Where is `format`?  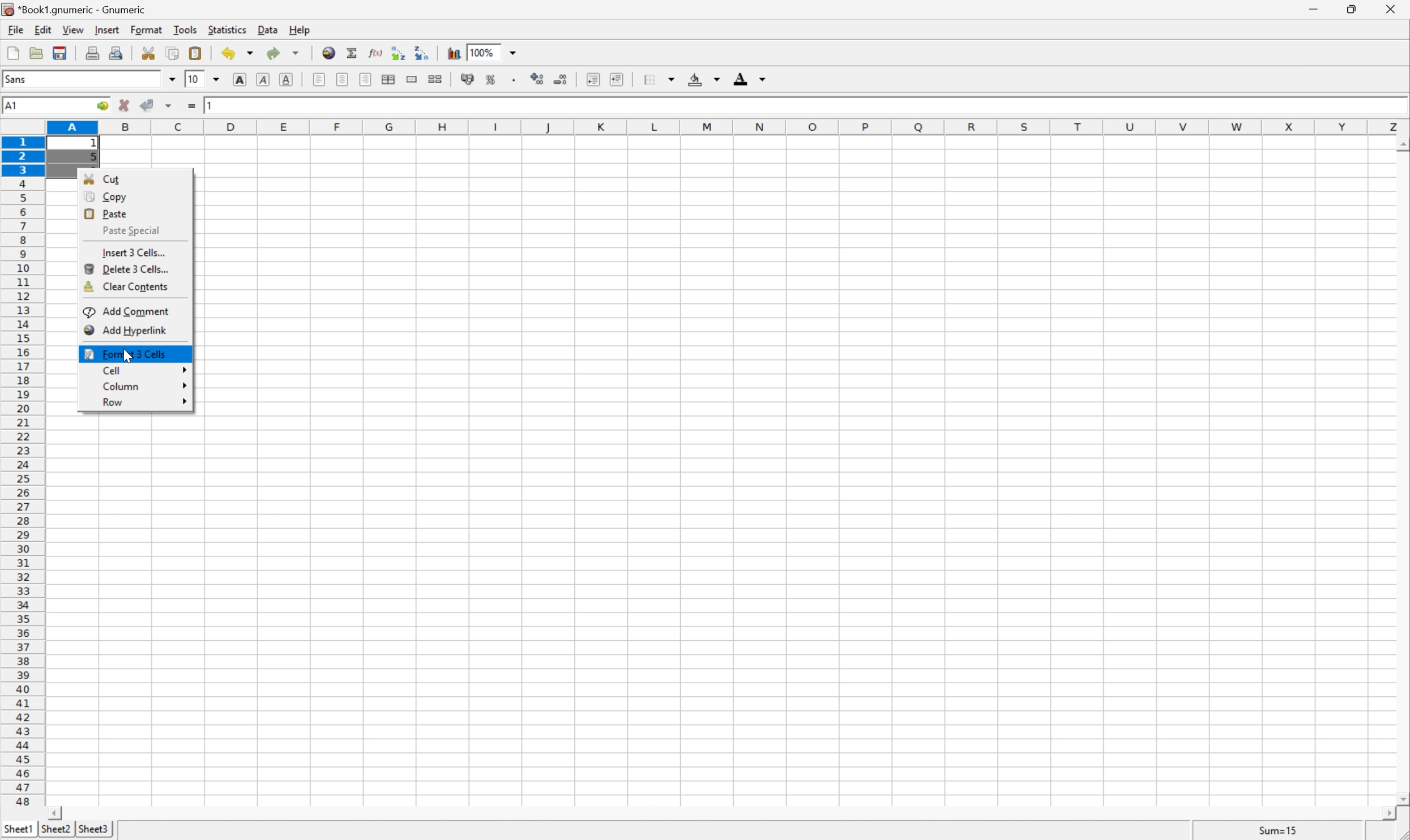
format is located at coordinates (148, 29).